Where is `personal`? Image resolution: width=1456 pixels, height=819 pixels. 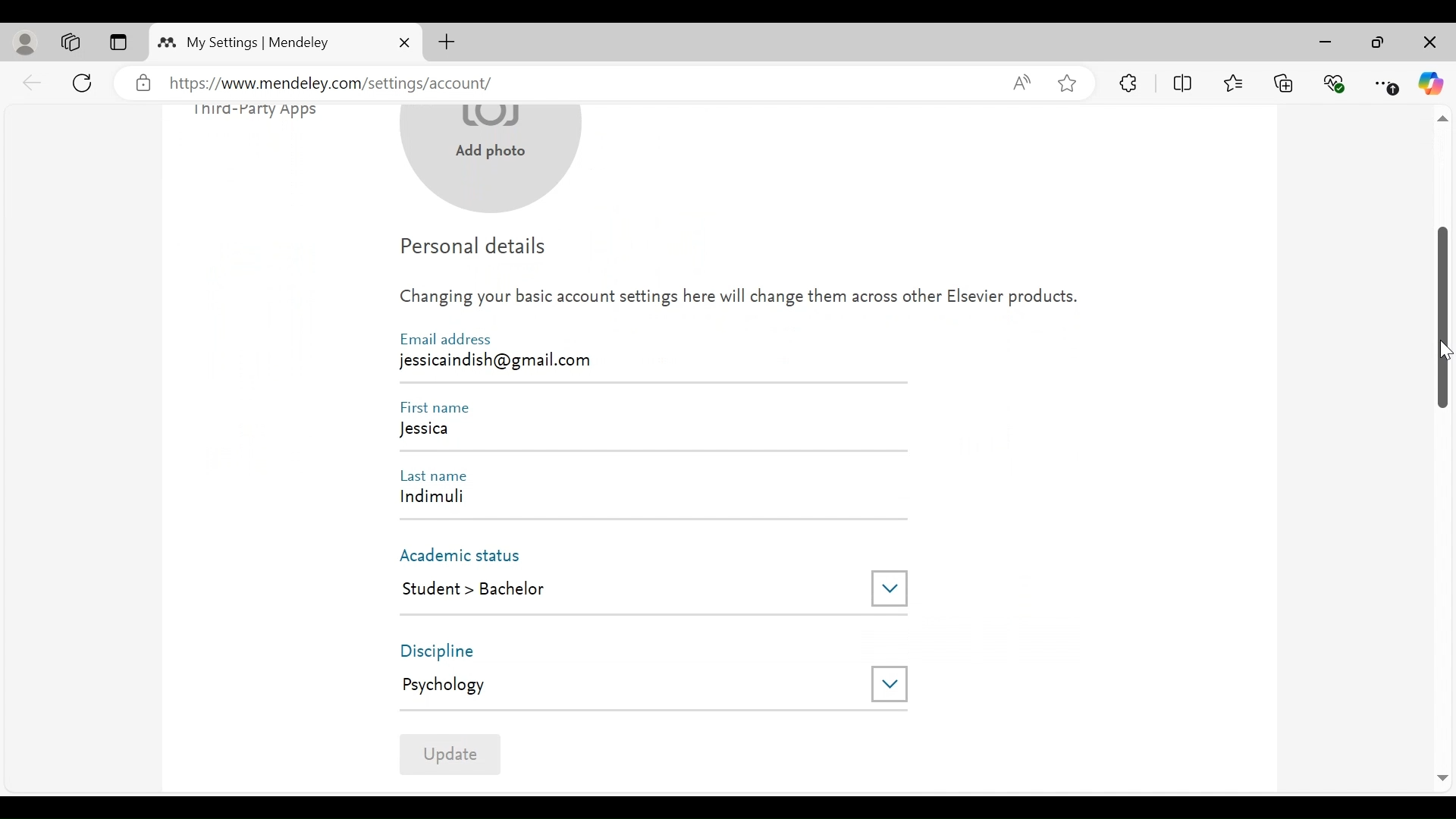 personal is located at coordinates (27, 43).